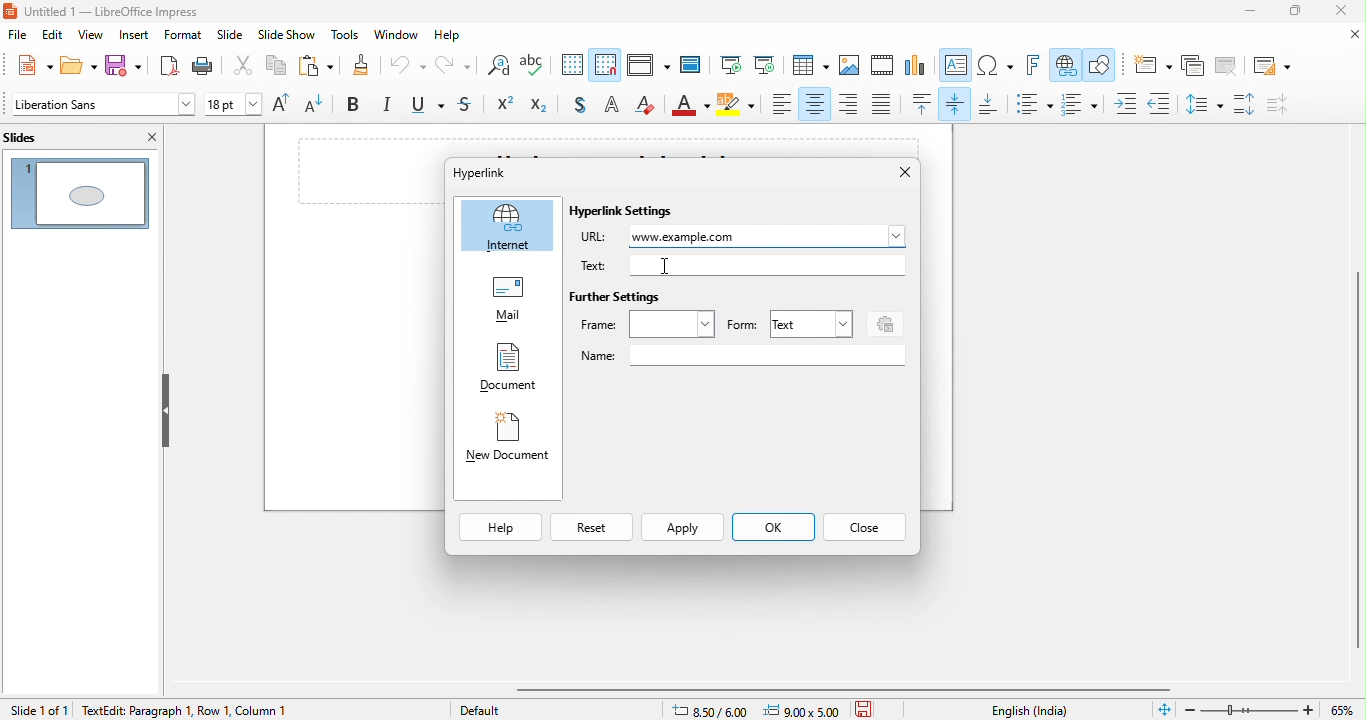 The height and width of the screenshot is (720, 1366). Describe the element at coordinates (1290, 104) in the screenshot. I see `decrease paragraph spacing` at that location.